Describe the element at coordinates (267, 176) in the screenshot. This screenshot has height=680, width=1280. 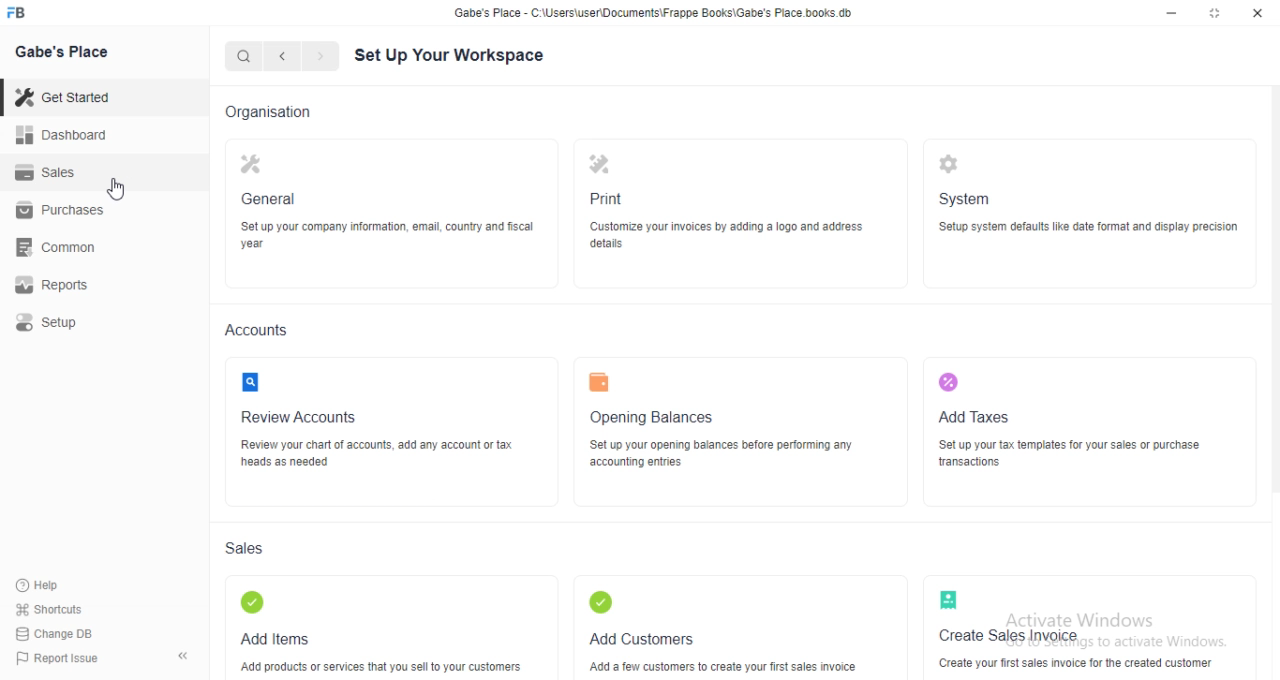
I see `General` at that location.